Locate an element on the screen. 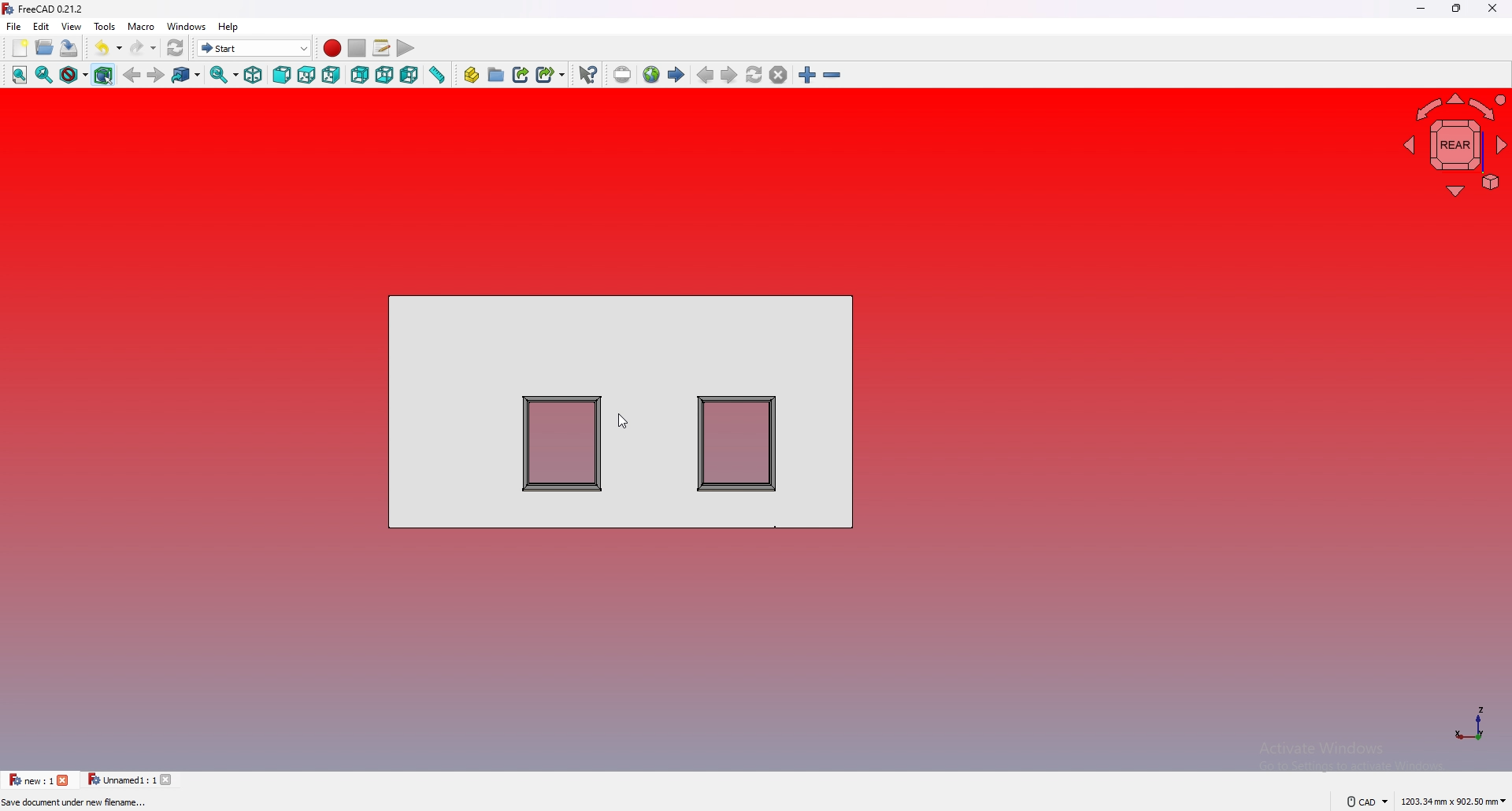 This screenshot has width=1512, height=811. front is located at coordinates (283, 74).